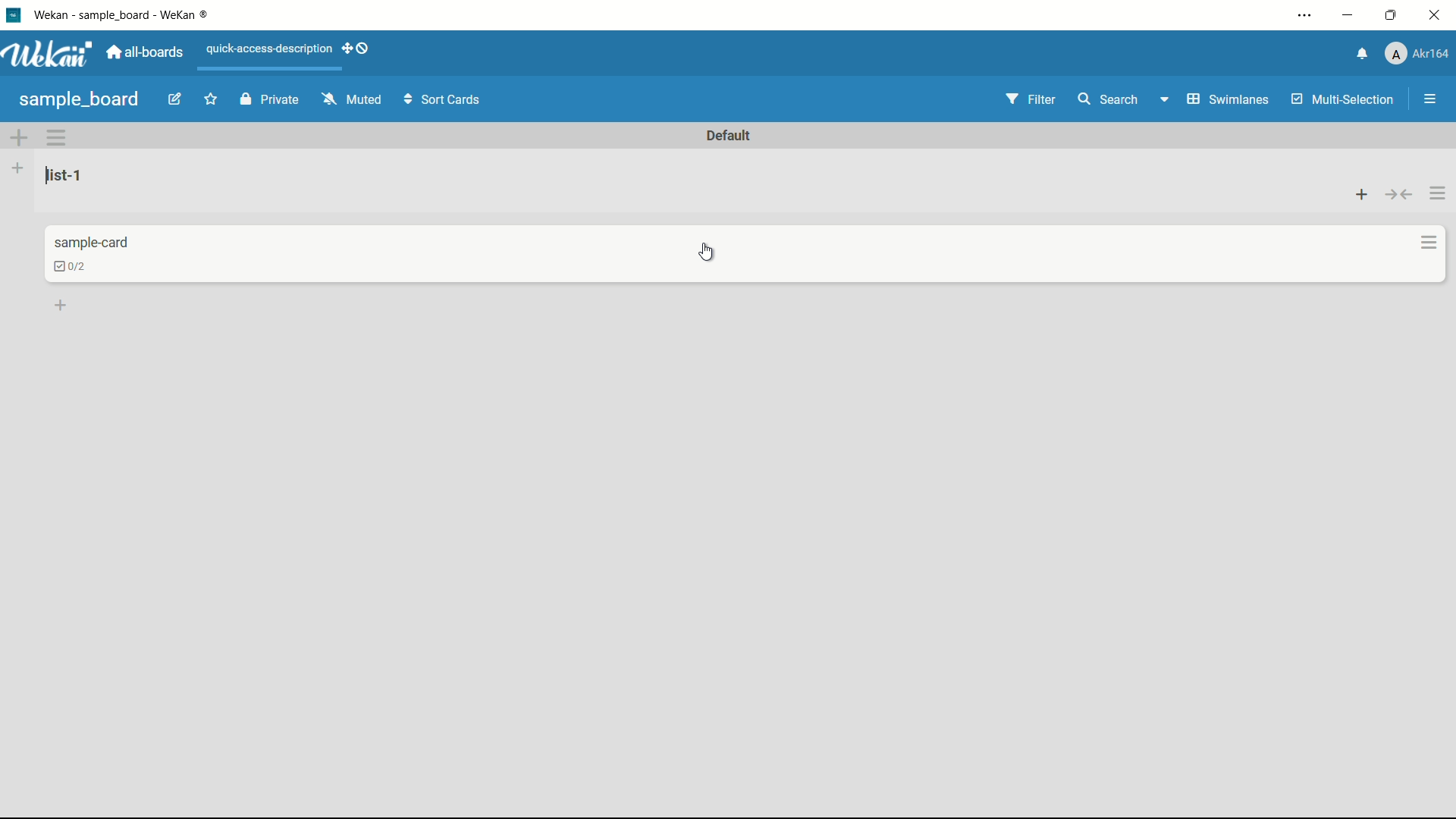  What do you see at coordinates (149, 52) in the screenshot?
I see `all boards` at bounding box center [149, 52].